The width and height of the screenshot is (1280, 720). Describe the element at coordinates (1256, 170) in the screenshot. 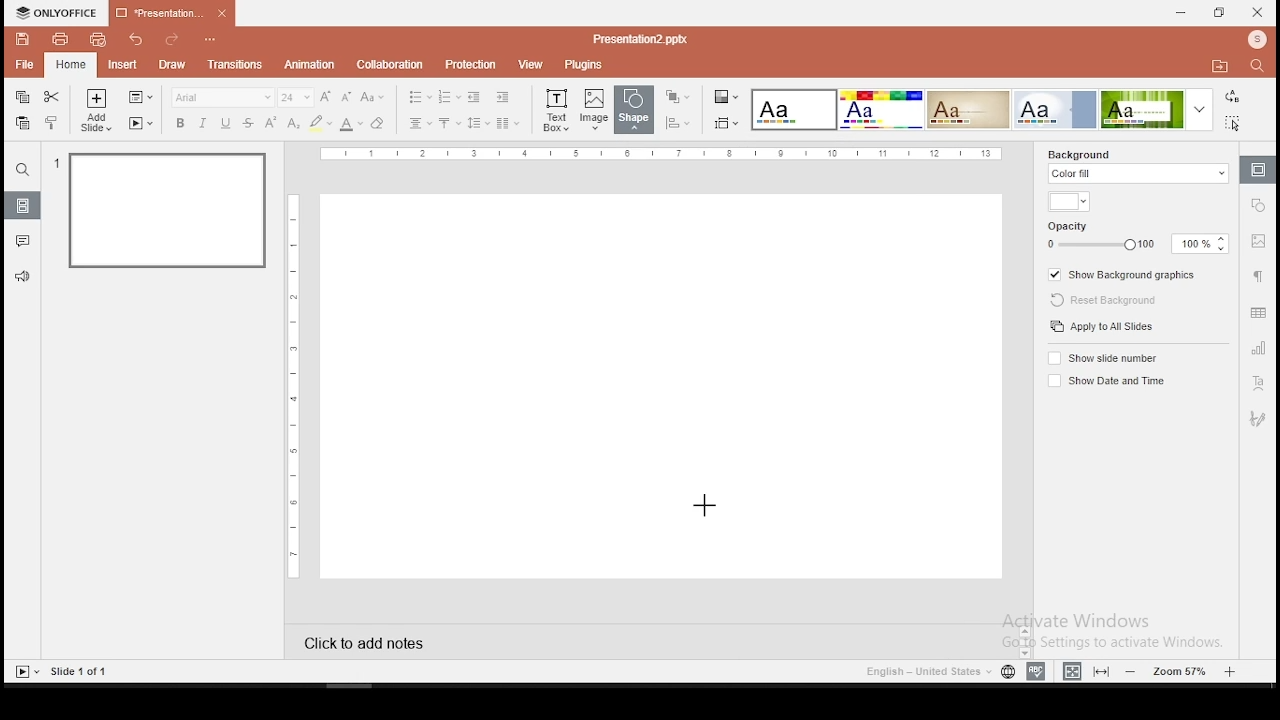

I see `slide settings` at that location.